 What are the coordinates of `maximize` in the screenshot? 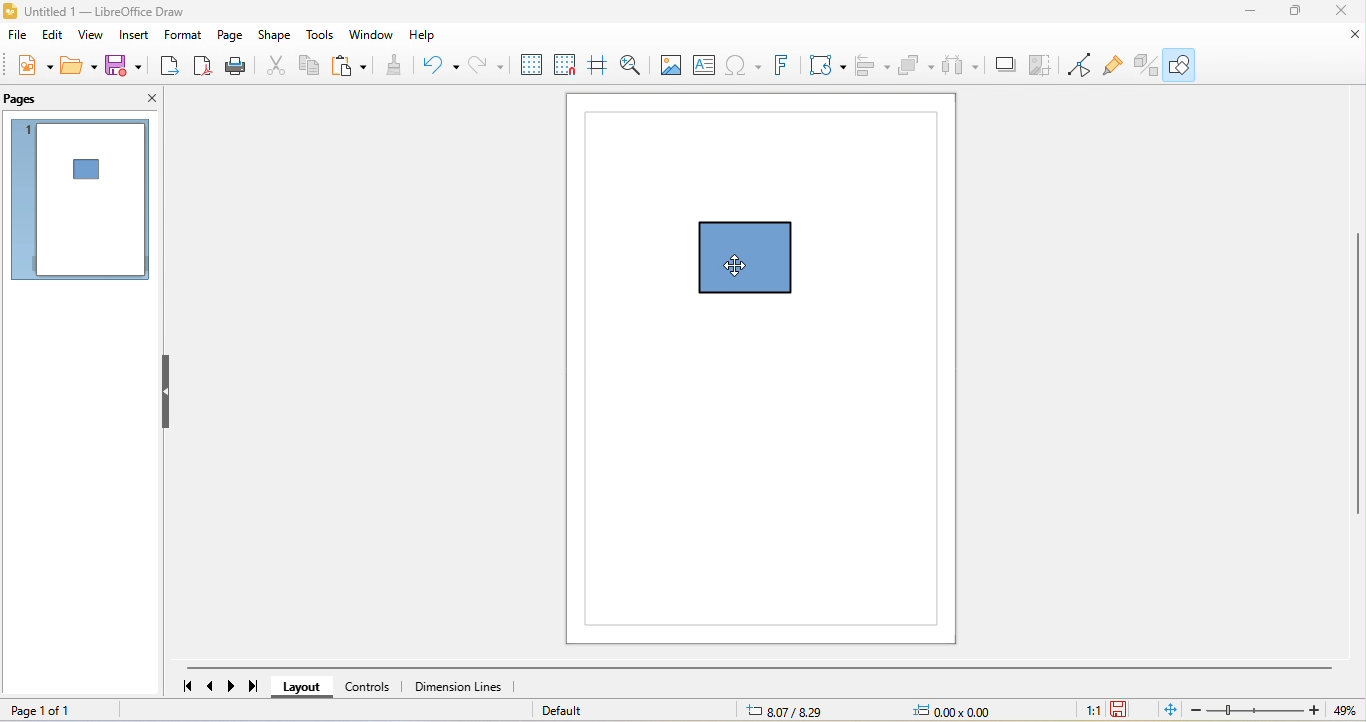 It's located at (1296, 12).